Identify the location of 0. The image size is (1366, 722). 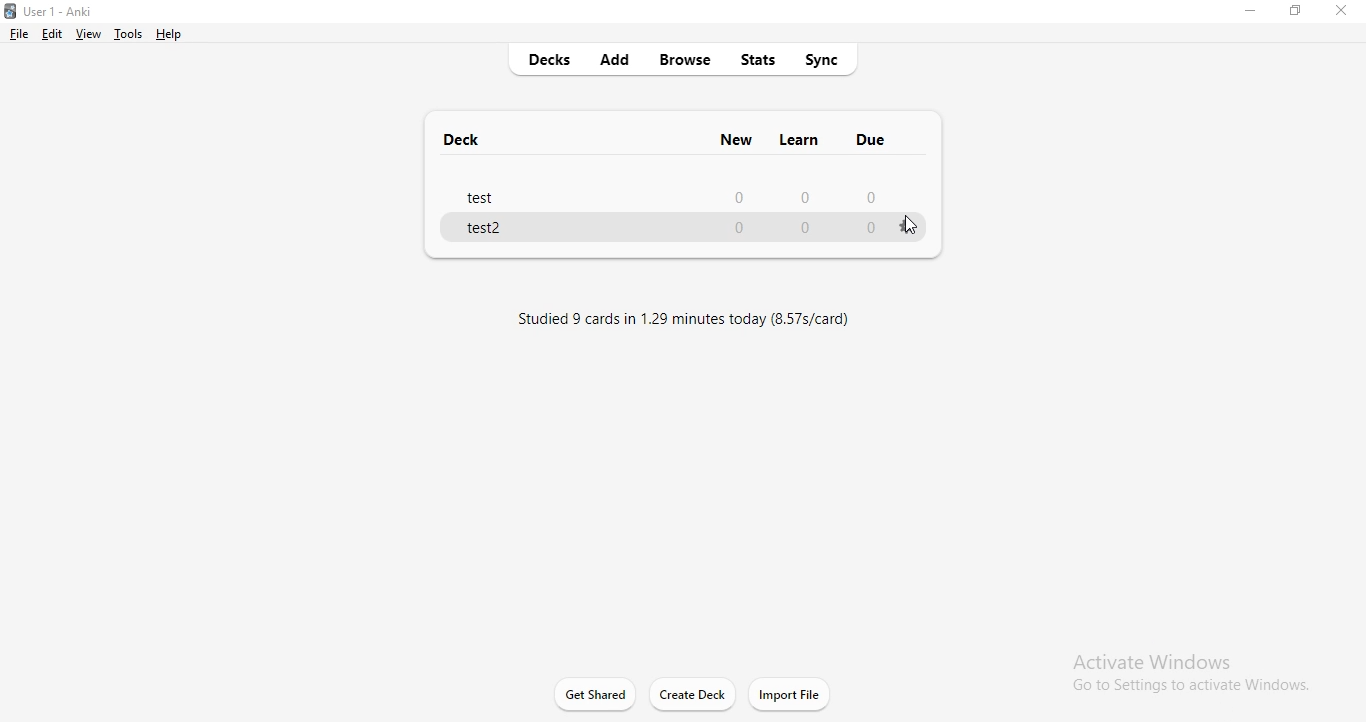
(738, 230).